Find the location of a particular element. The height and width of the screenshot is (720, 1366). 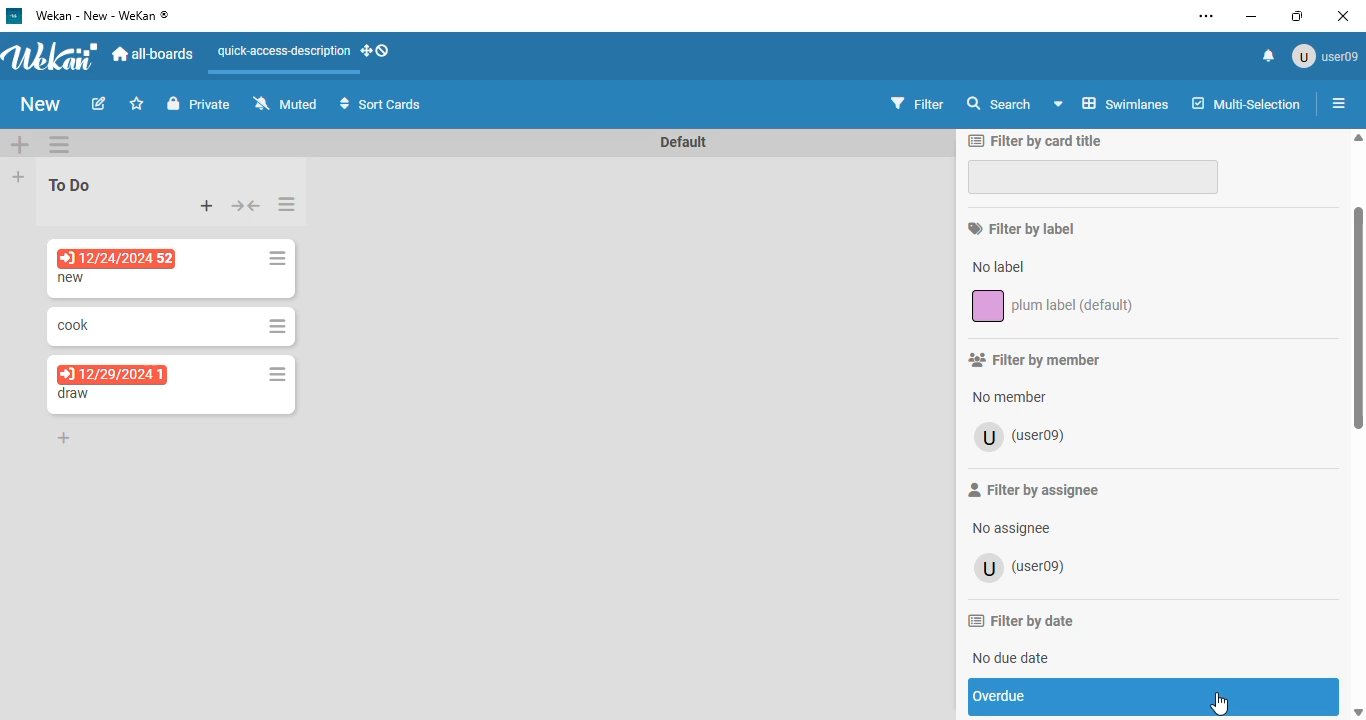

user profile is located at coordinates (1324, 56).